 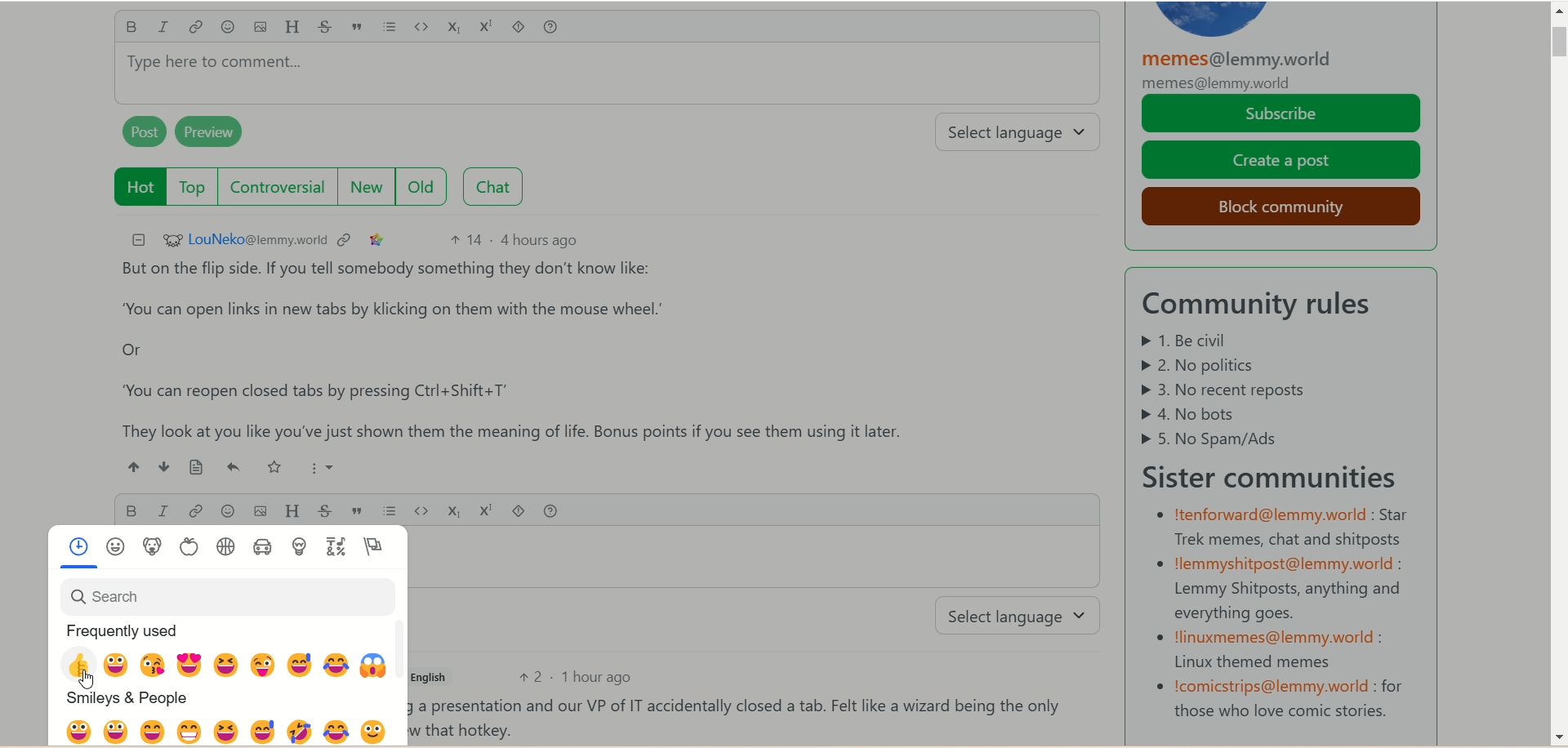 I want to click on downvote, so click(x=159, y=466).